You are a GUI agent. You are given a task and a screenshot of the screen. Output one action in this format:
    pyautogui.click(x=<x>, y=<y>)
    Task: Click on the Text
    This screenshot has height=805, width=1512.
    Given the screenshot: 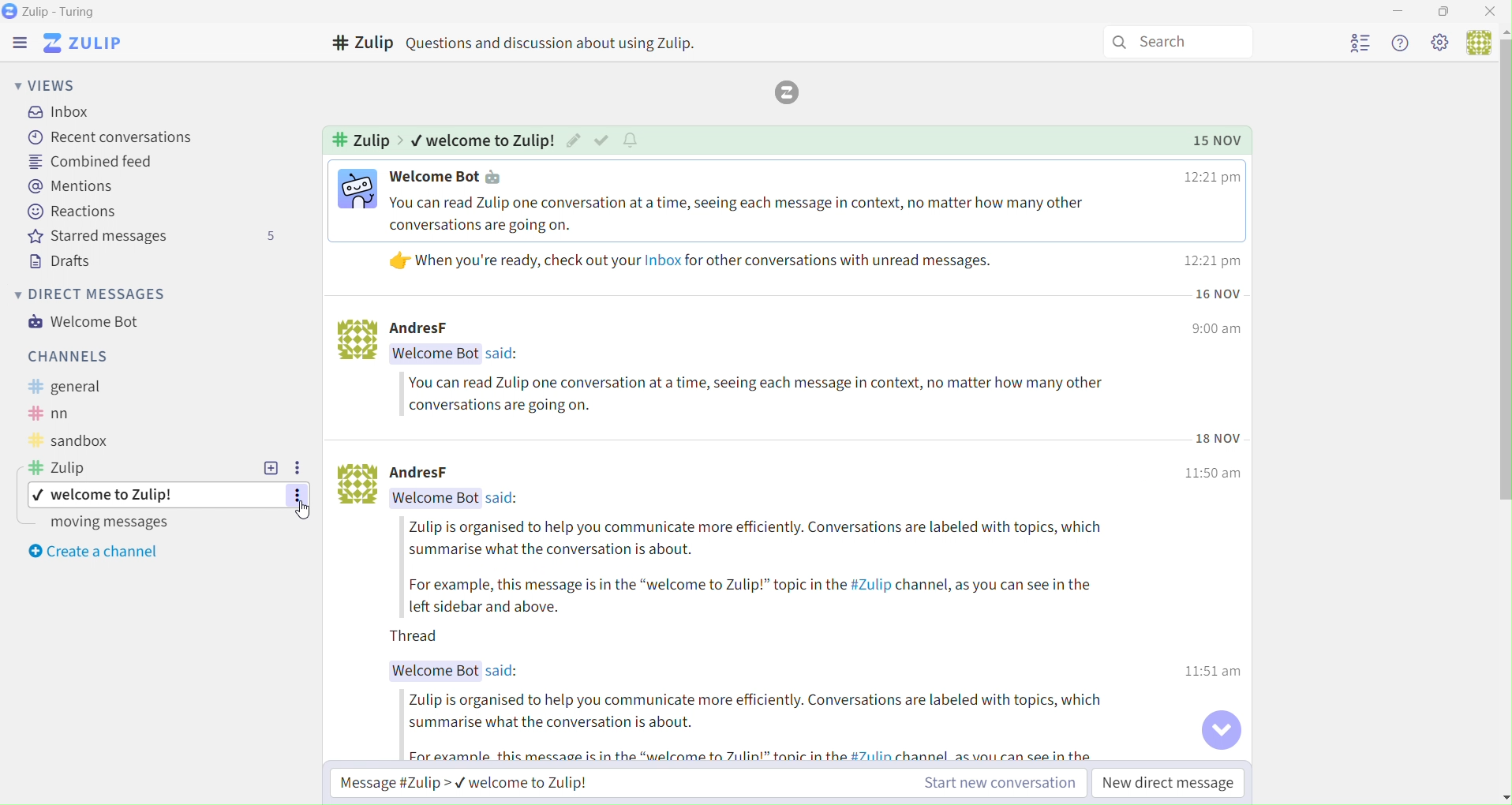 What is the action you would take?
    pyautogui.click(x=69, y=468)
    